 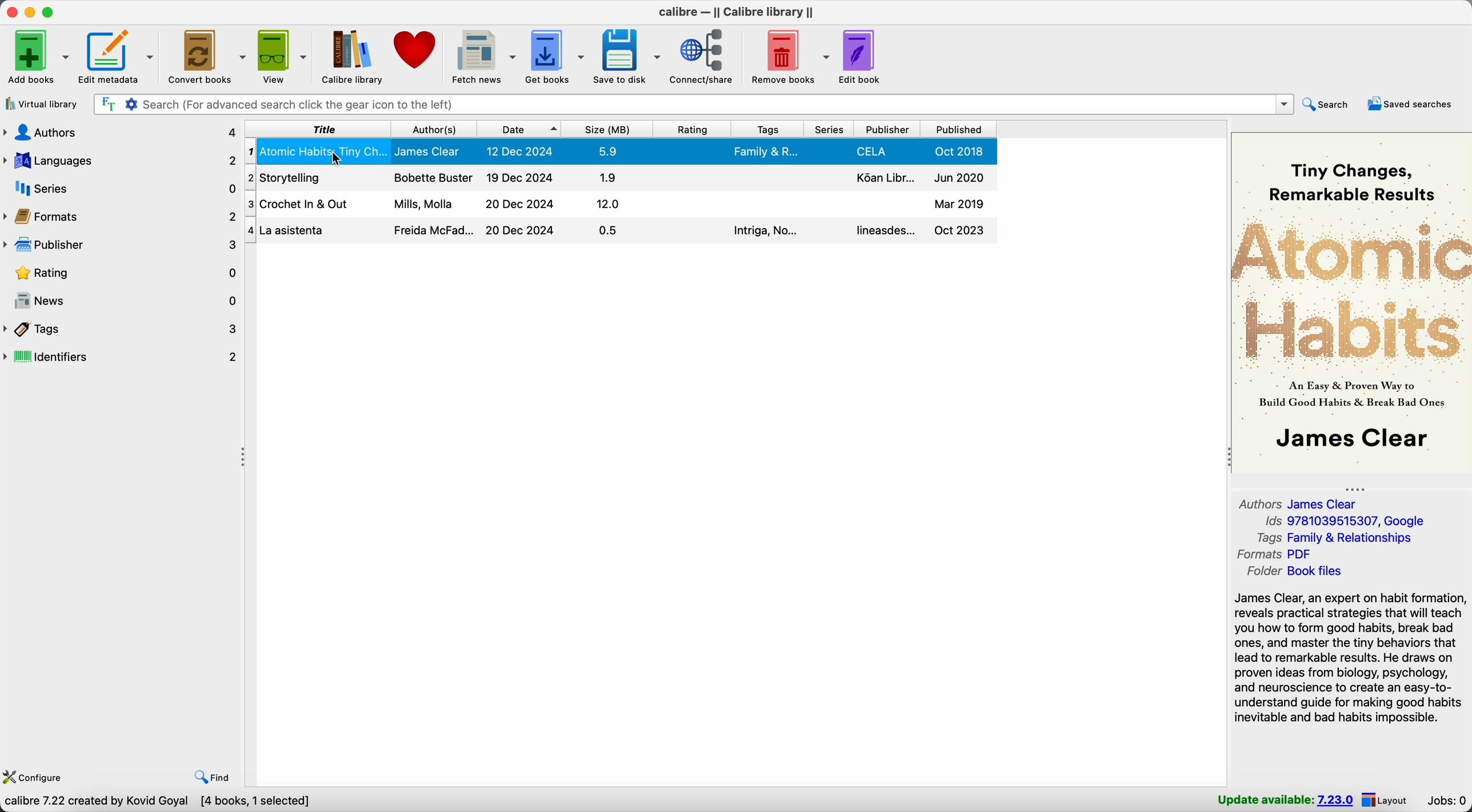 I want to click on layout, so click(x=1392, y=801).